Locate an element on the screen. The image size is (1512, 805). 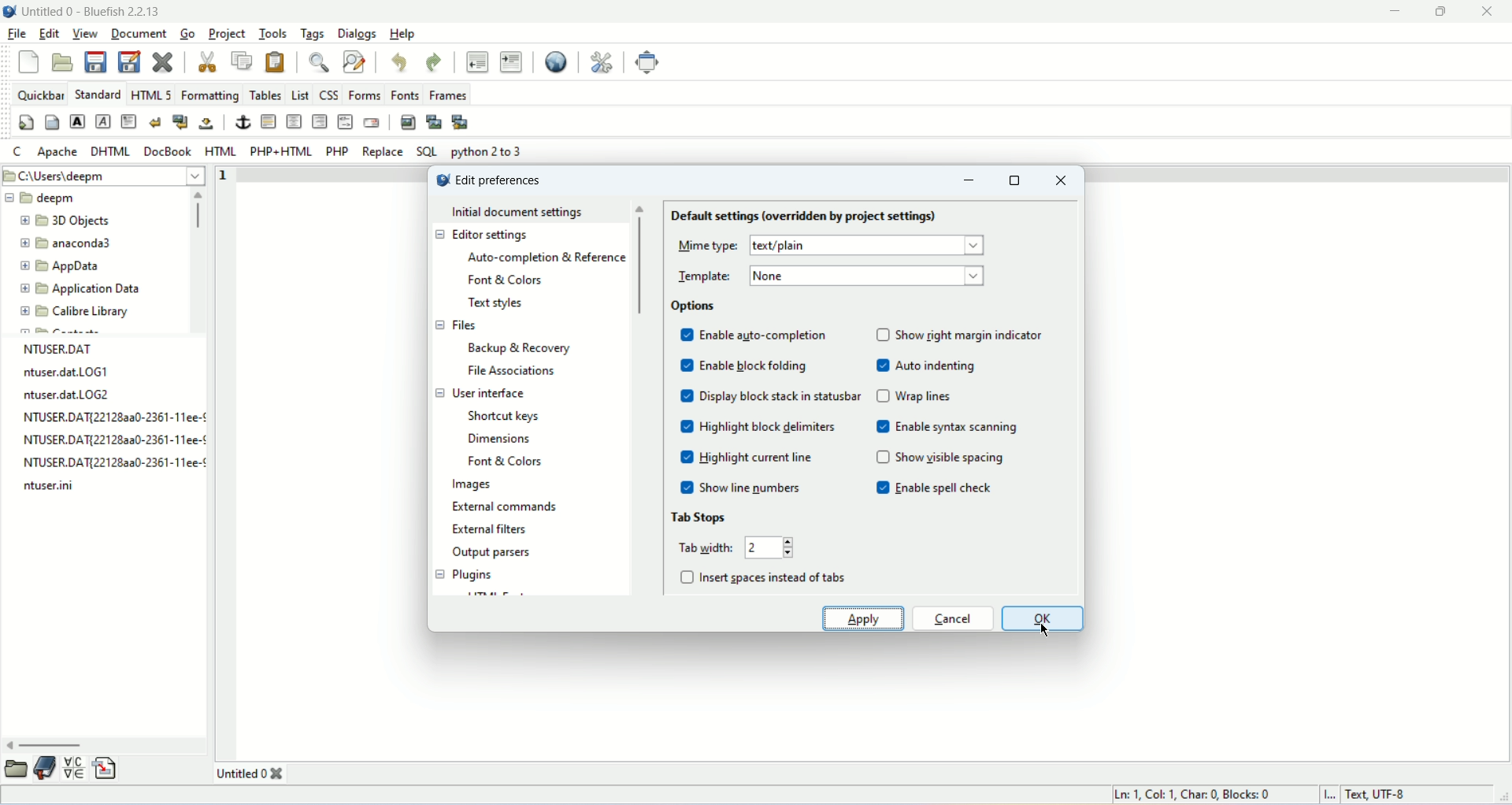
show line number is located at coordinates (754, 488).